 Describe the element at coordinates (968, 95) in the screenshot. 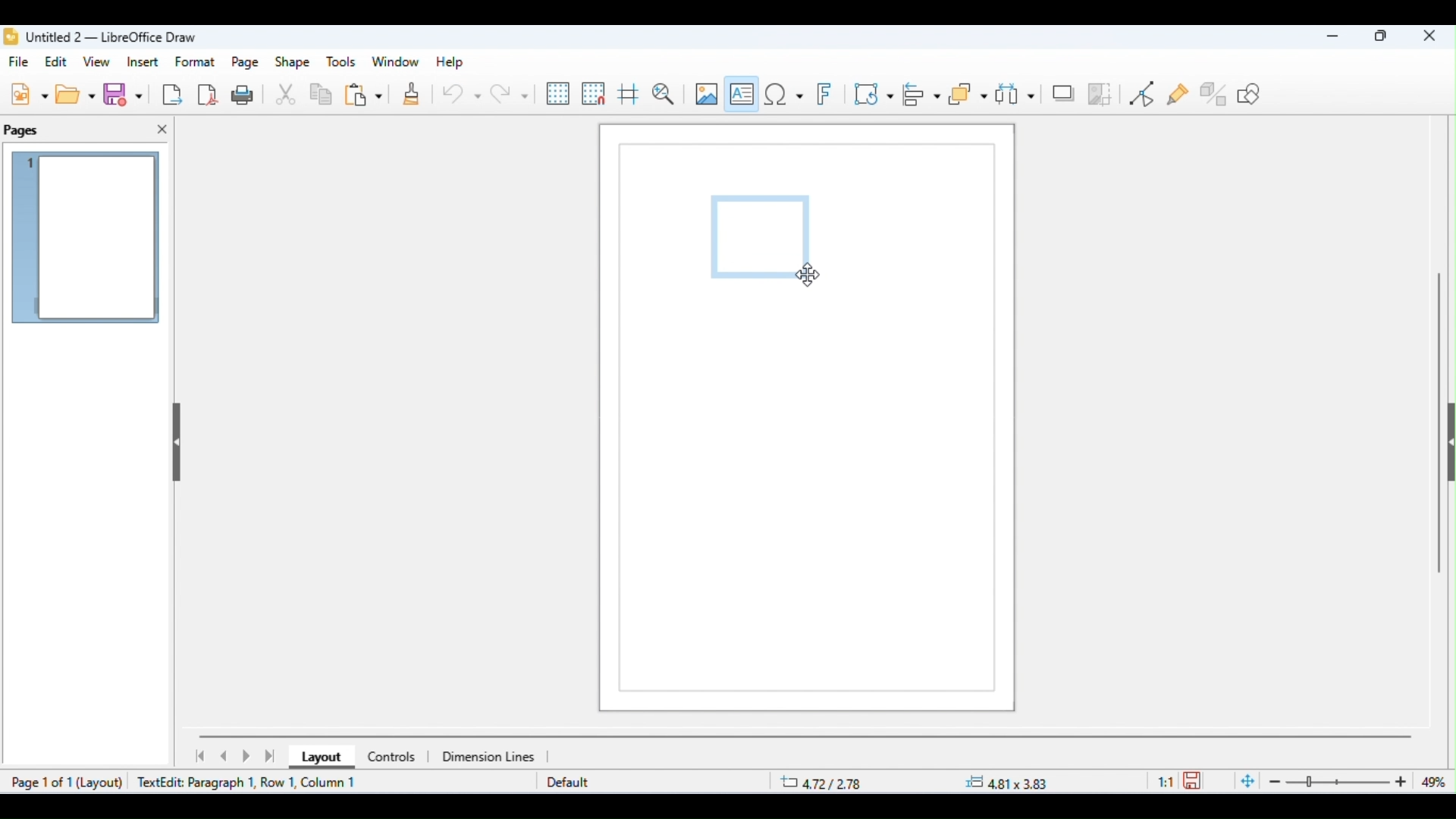

I see `arrange` at that location.